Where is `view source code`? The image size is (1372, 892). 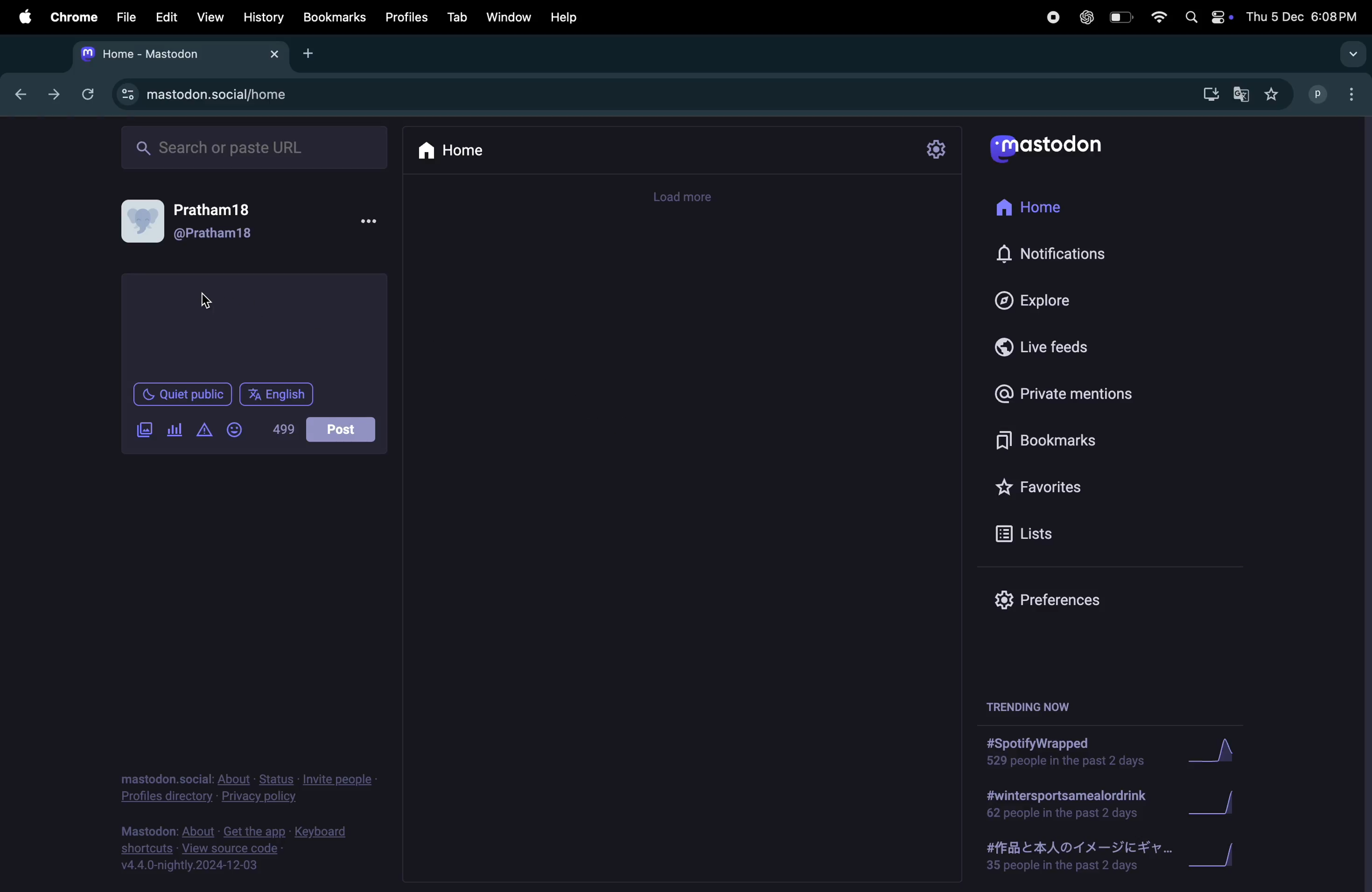 view source code is located at coordinates (246, 850).